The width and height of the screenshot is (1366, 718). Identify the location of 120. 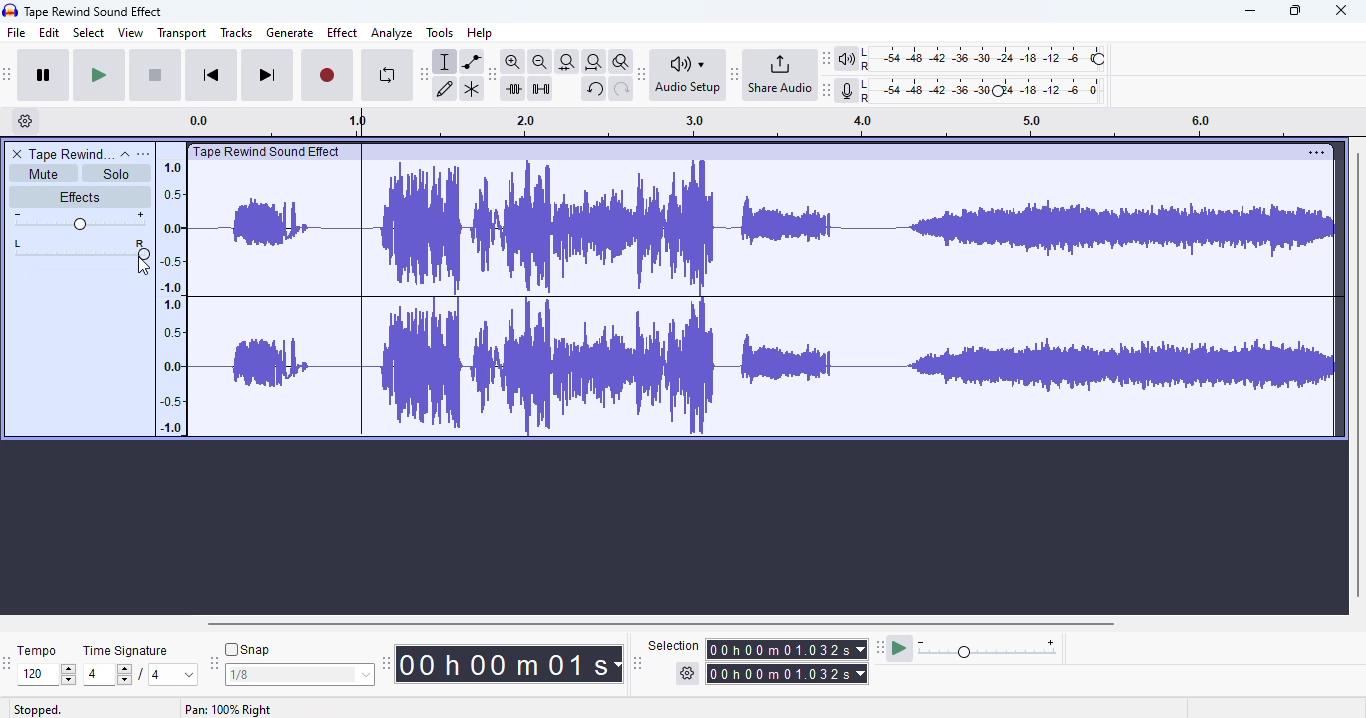
(46, 675).